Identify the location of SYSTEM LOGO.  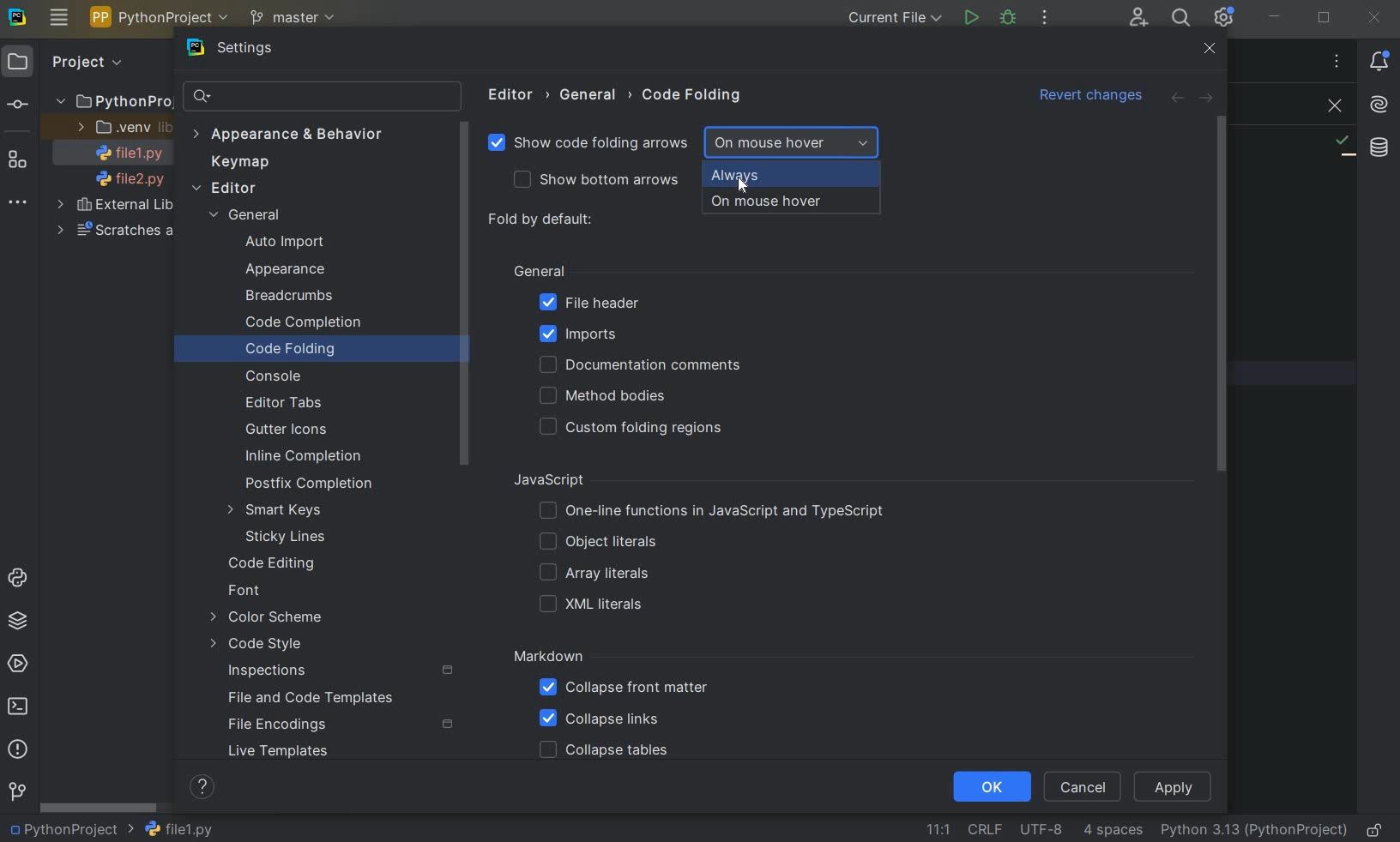
(19, 18).